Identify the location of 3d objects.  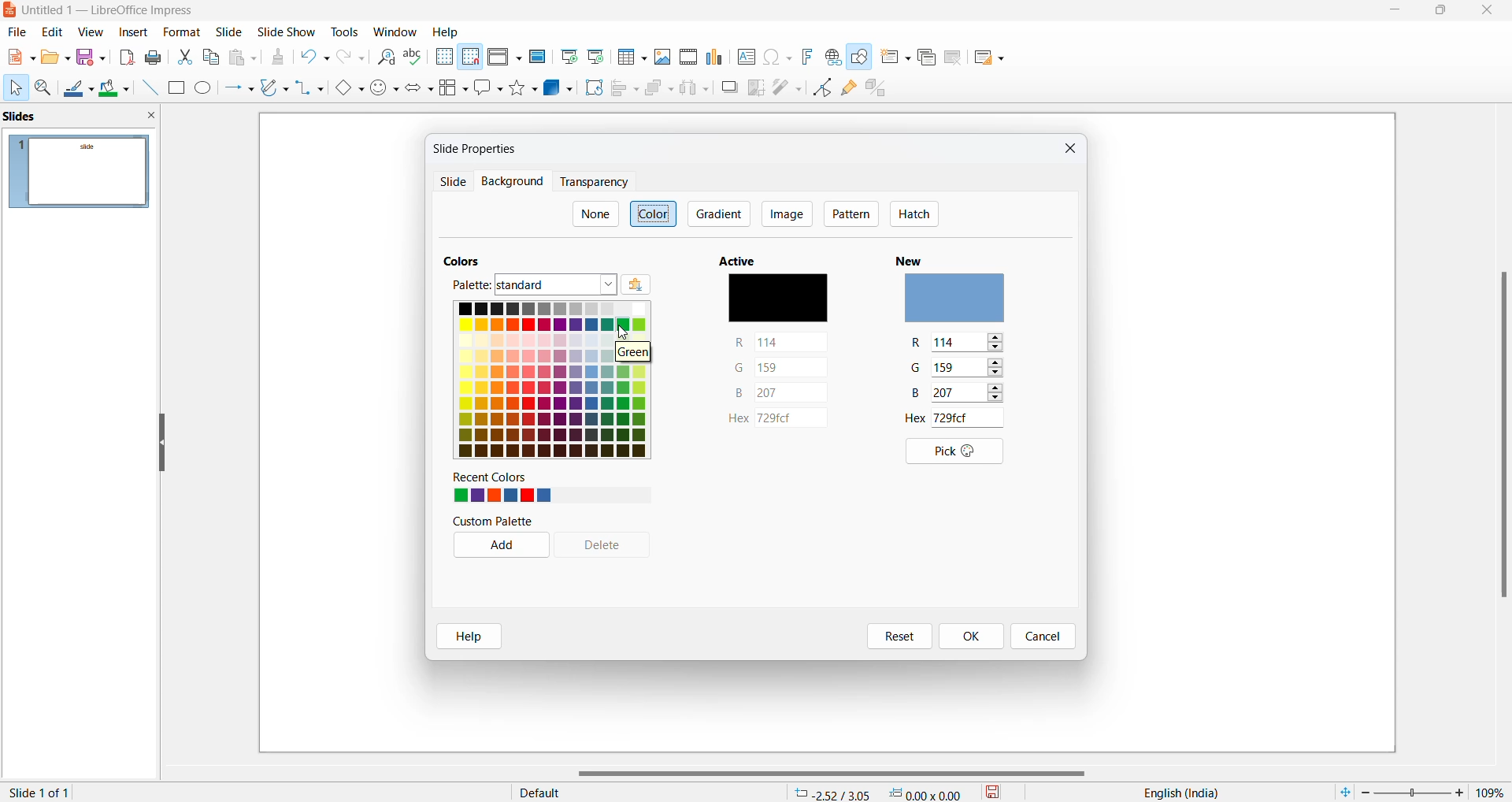
(558, 87).